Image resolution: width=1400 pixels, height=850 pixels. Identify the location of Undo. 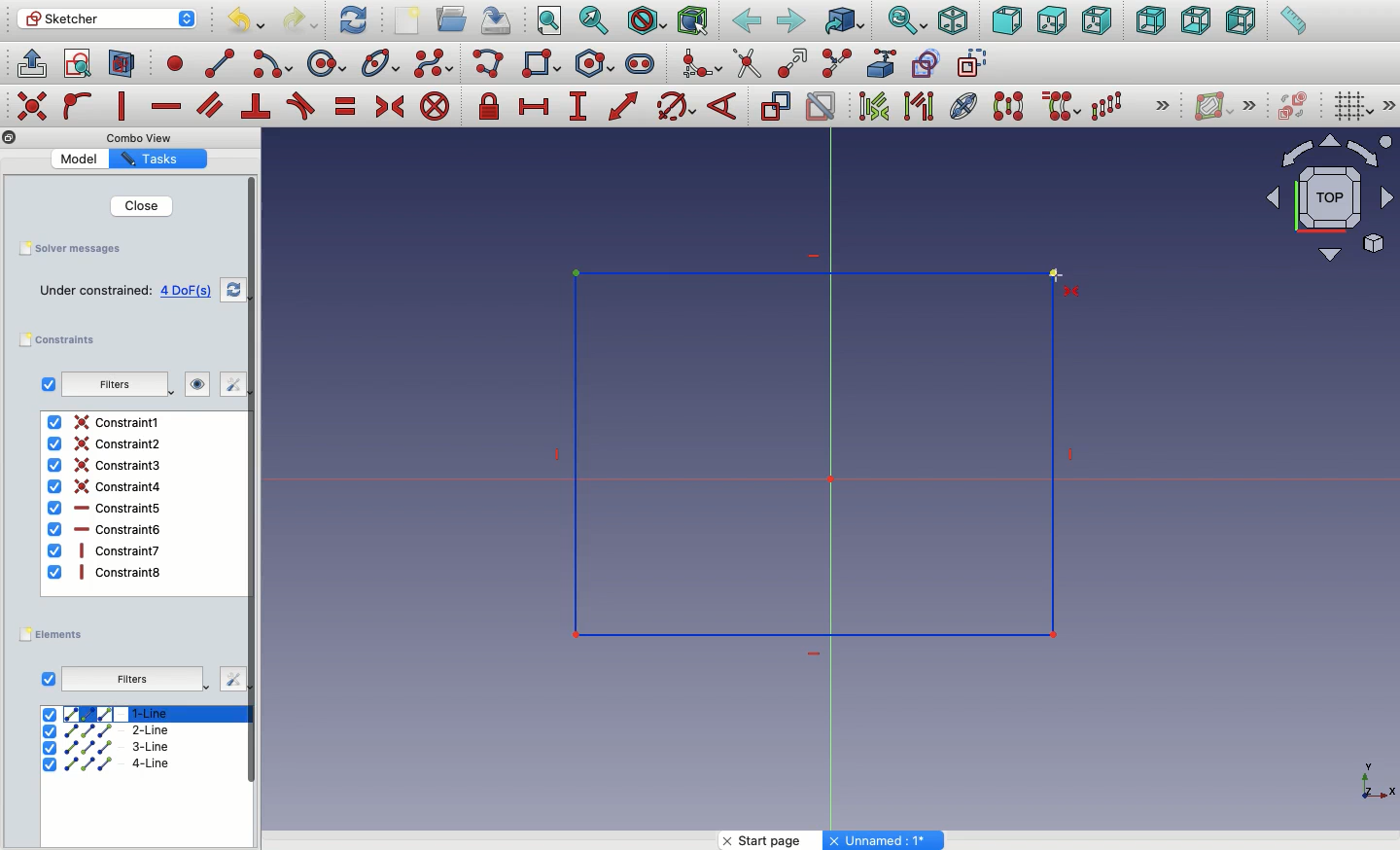
(249, 23).